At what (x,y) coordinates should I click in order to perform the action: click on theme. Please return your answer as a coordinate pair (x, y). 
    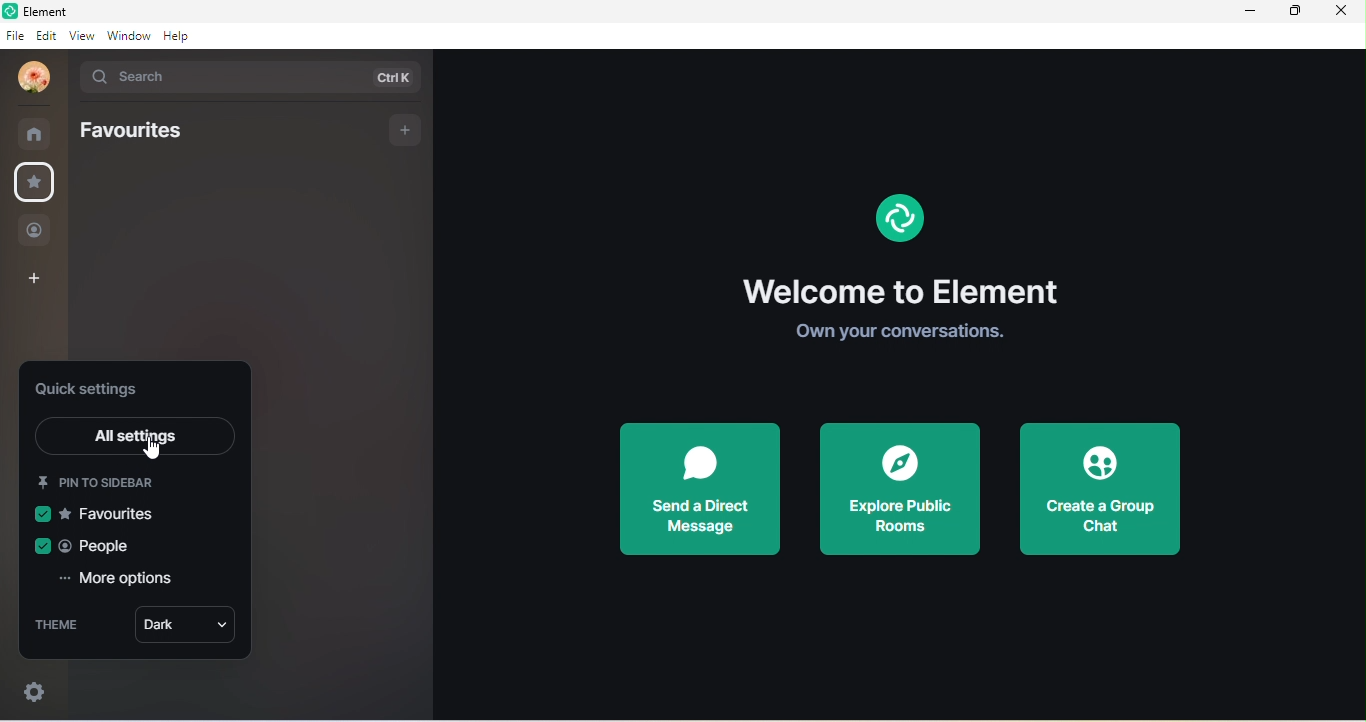
    Looking at the image, I should click on (63, 624).